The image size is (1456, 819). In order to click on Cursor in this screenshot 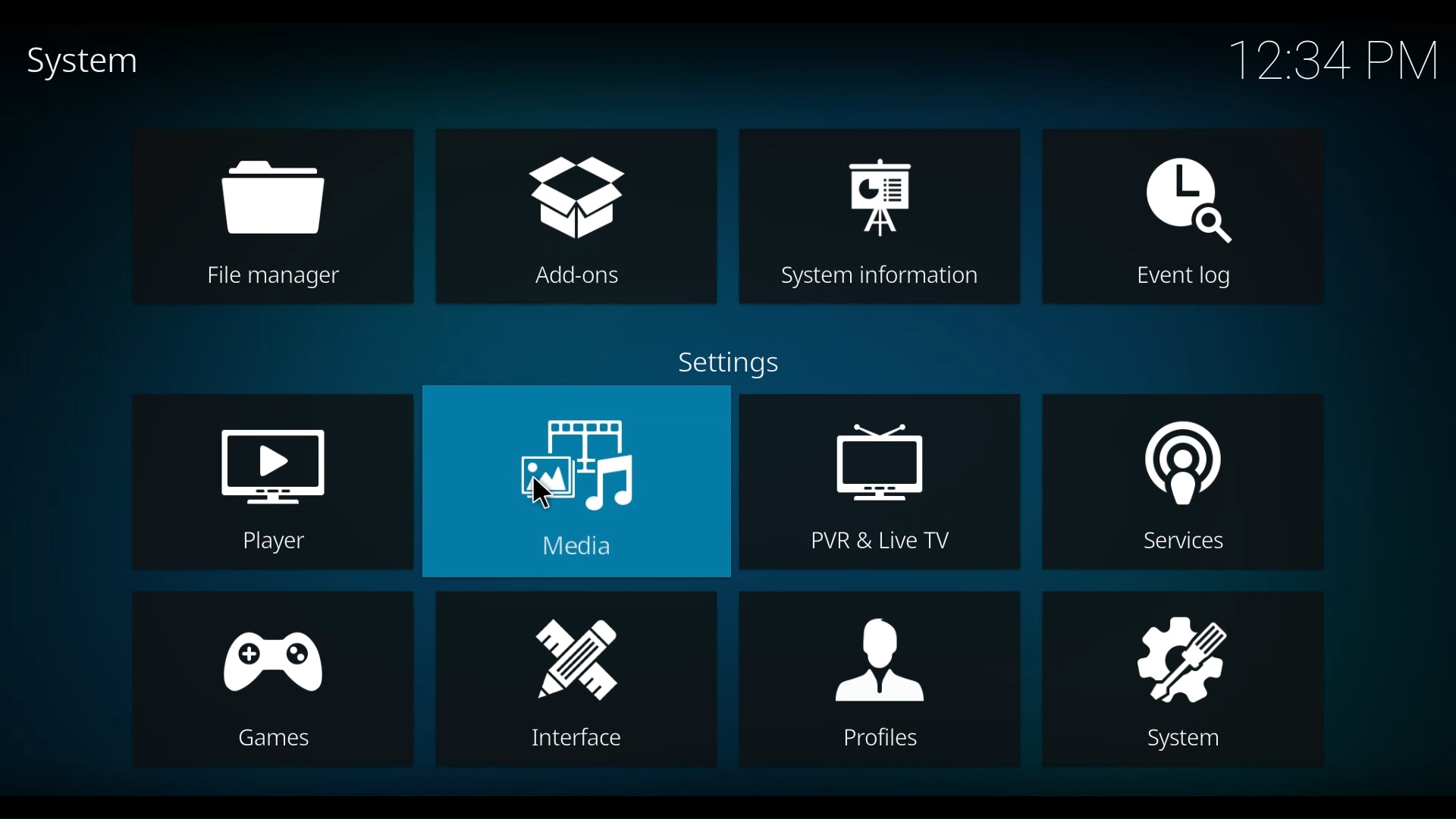, I will do `click(539, 494)`.